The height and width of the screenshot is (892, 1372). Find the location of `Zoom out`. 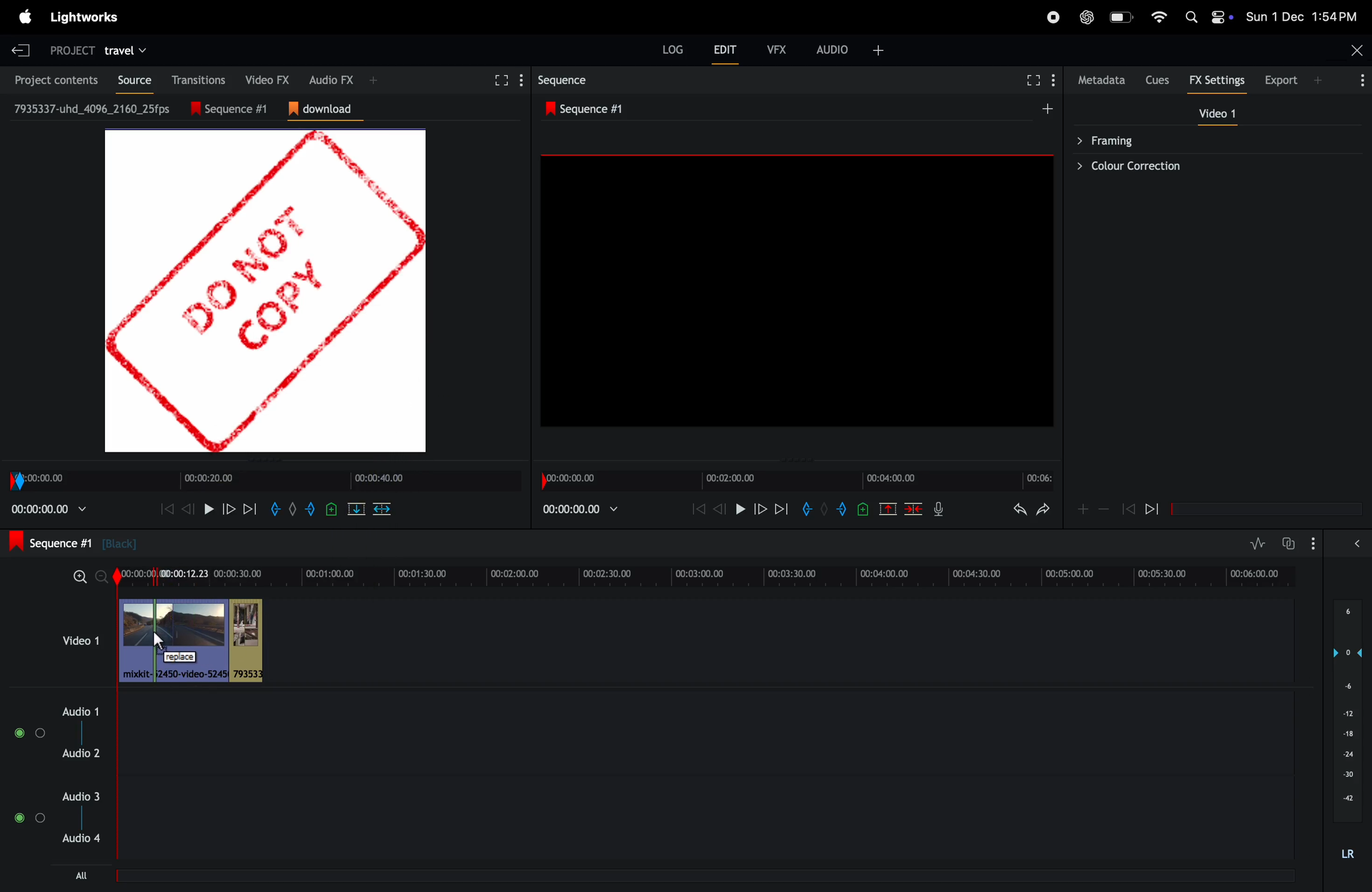

Zoom out is located at coordinates (101, 577).